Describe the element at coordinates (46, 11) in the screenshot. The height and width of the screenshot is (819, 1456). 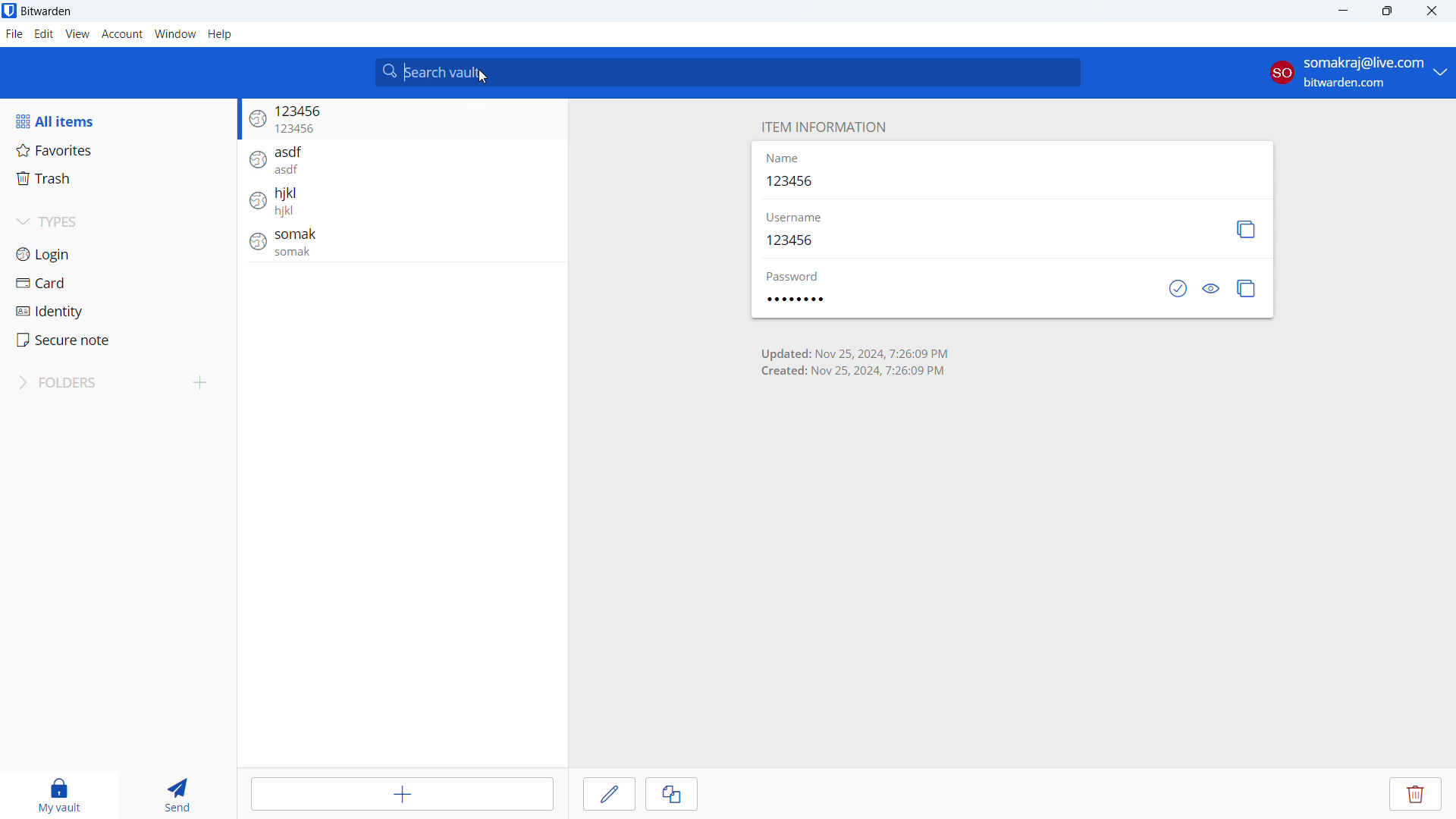
I see `title` at that location.